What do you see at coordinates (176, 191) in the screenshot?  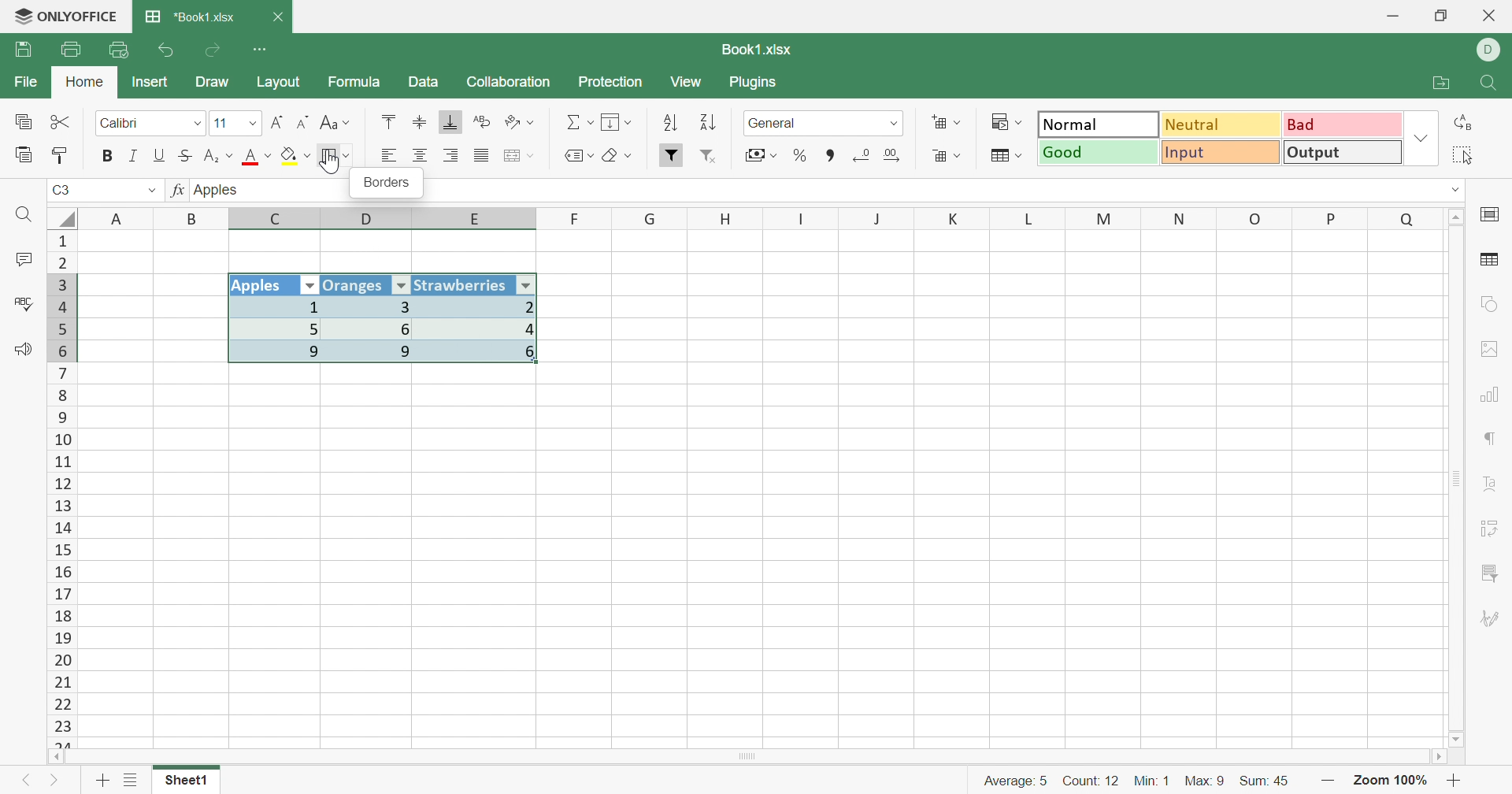 I see `fx` at bounding box center [176, 191].